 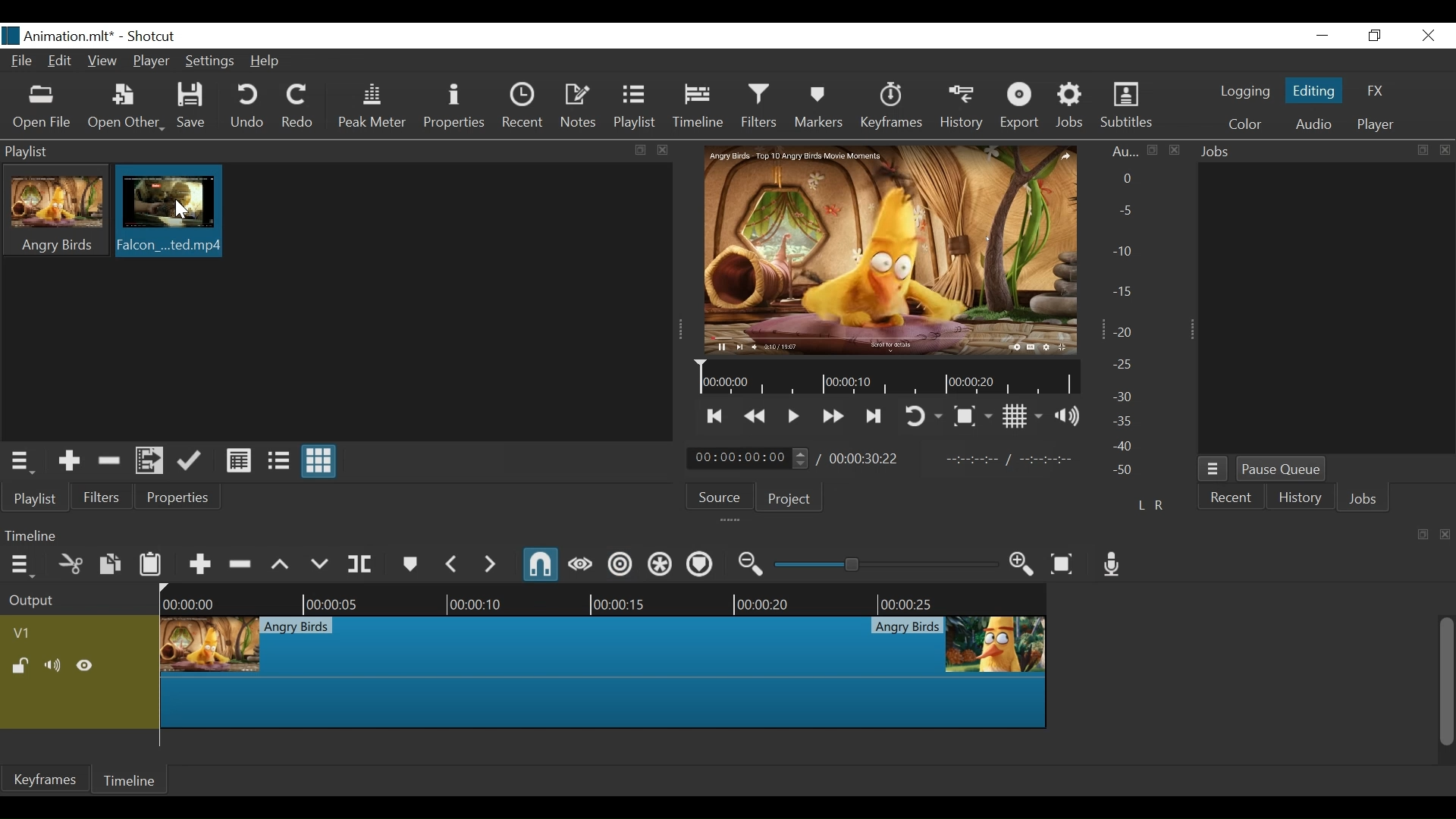 What do you see at coordinates (110, 563) in the screenshot?
I see `Copy` at bounding box center [110, 563].